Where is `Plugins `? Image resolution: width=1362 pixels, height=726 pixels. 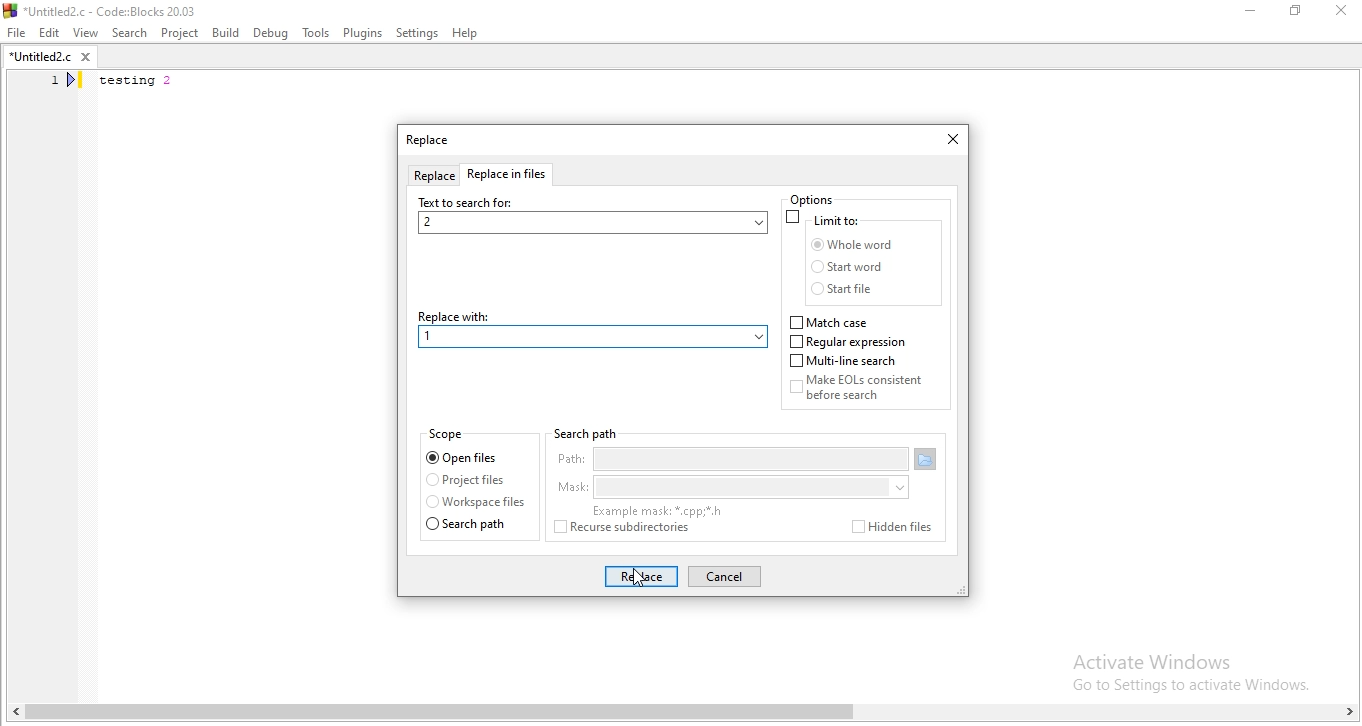
Plugins  is located at coordinates (361, 34).